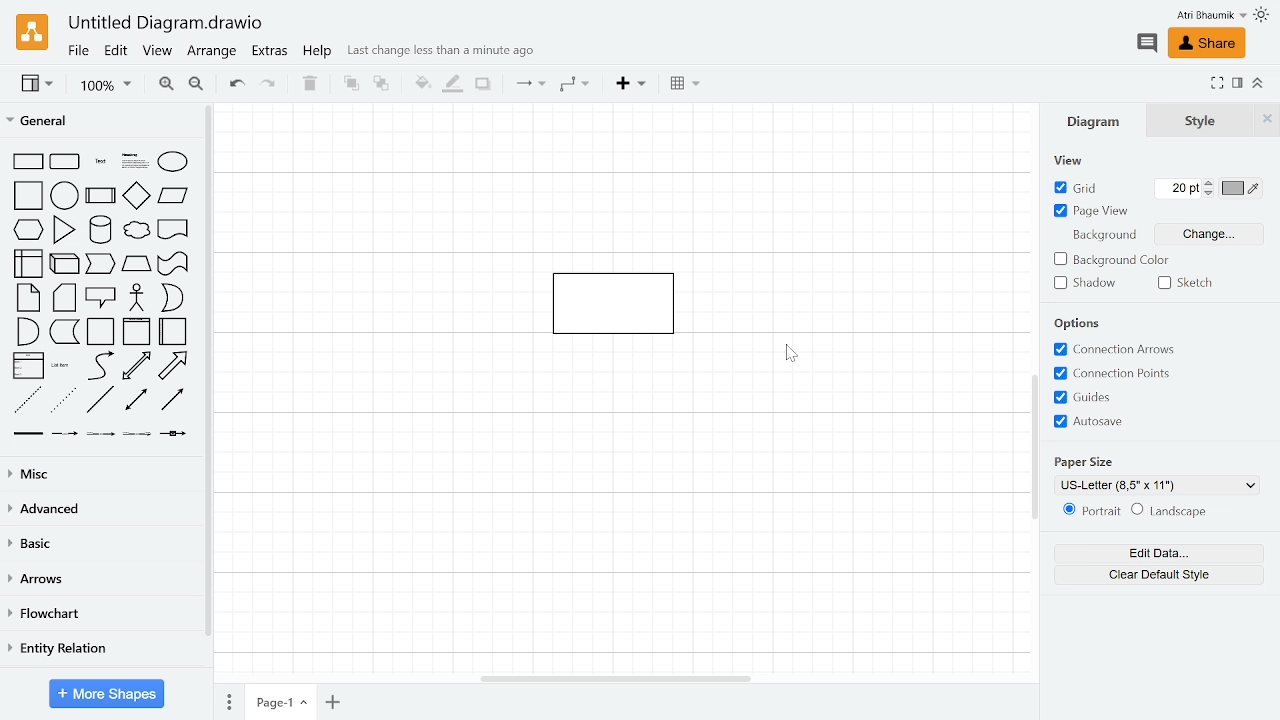 The width and height of the screenshot is (1280, 720). I want to click on Zoom, so click(109, 87).